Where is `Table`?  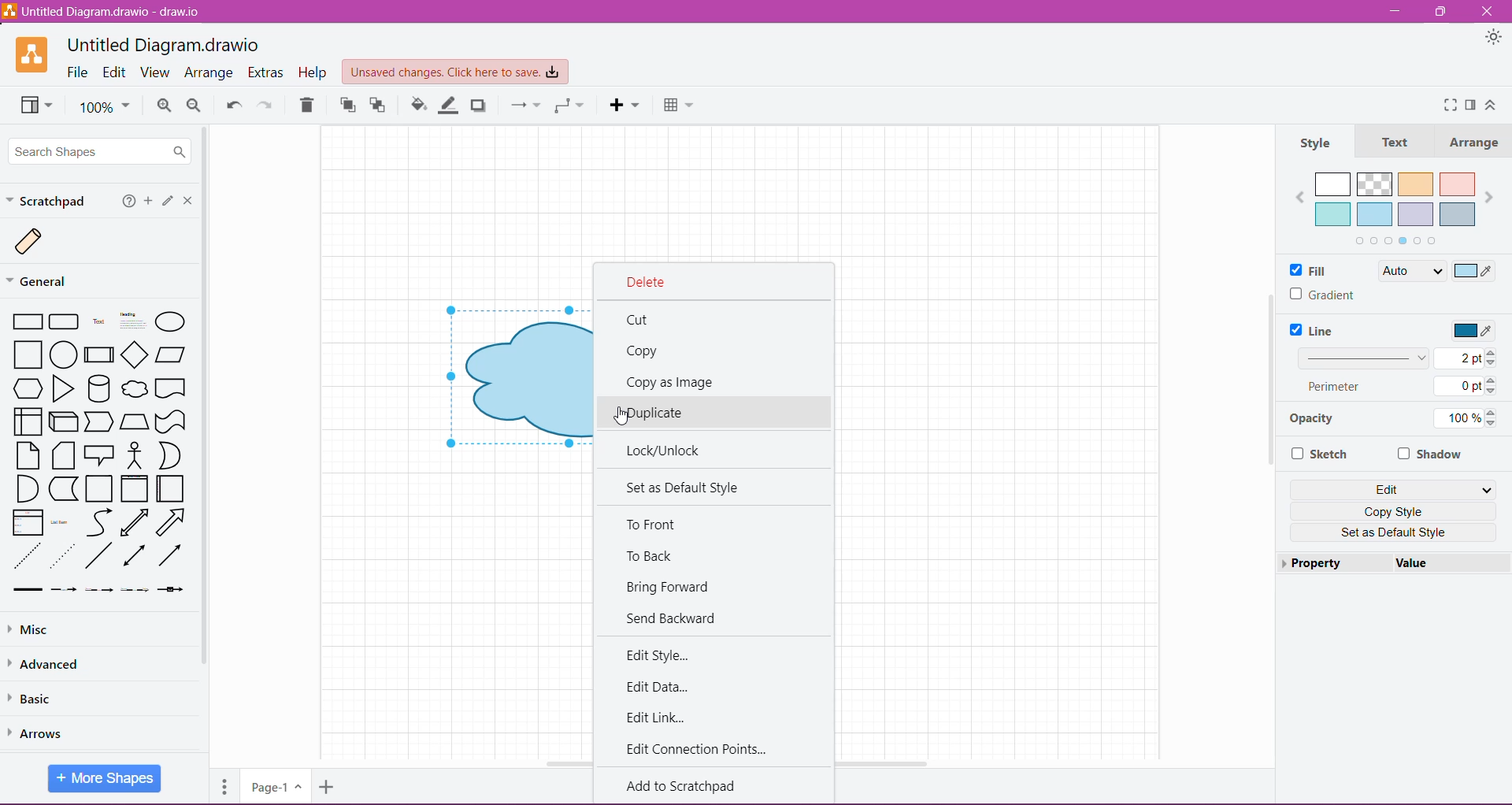
Table is located at coordinates (678, 106).